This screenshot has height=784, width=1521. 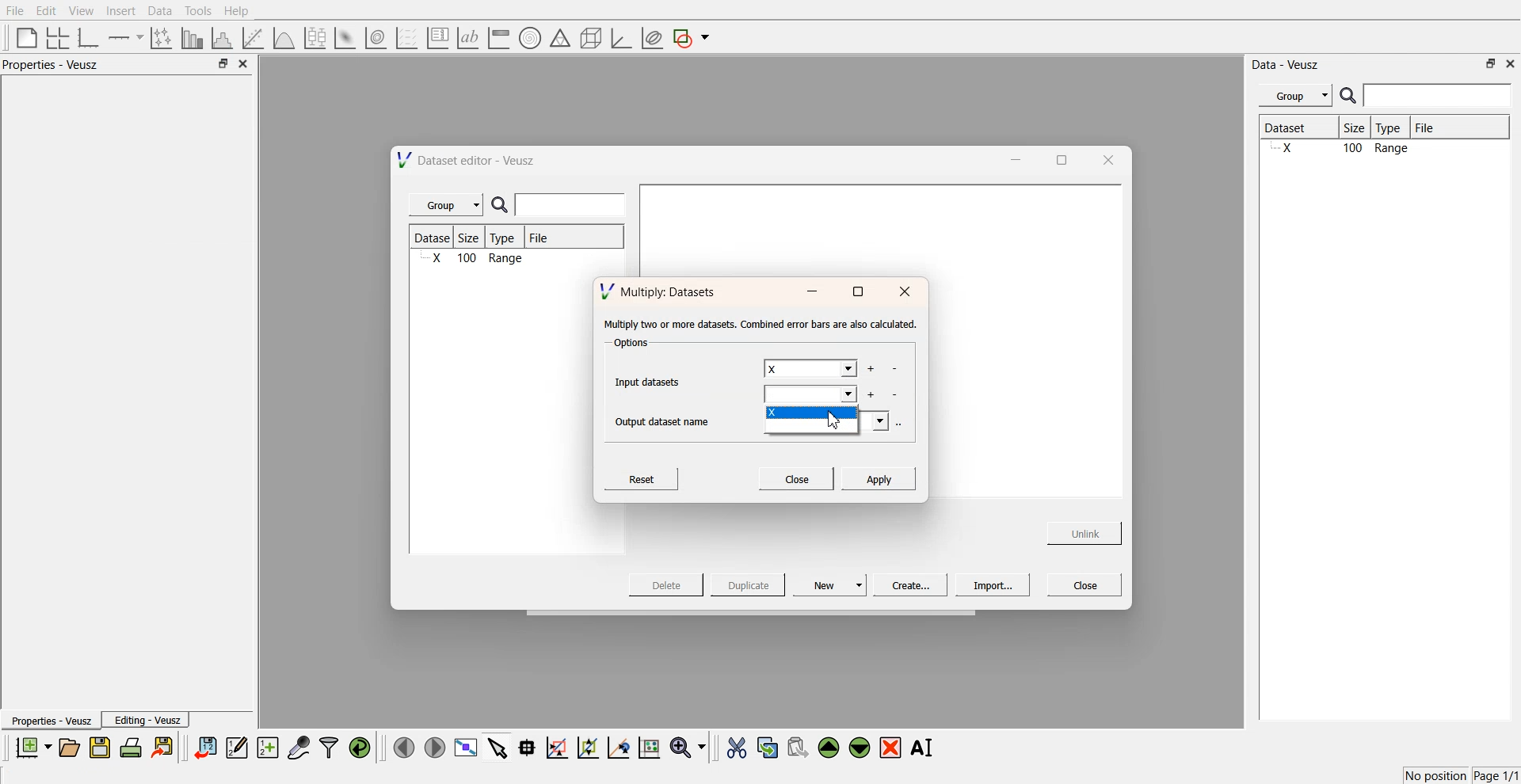 I want to click on File, so click(x=540, y=240).